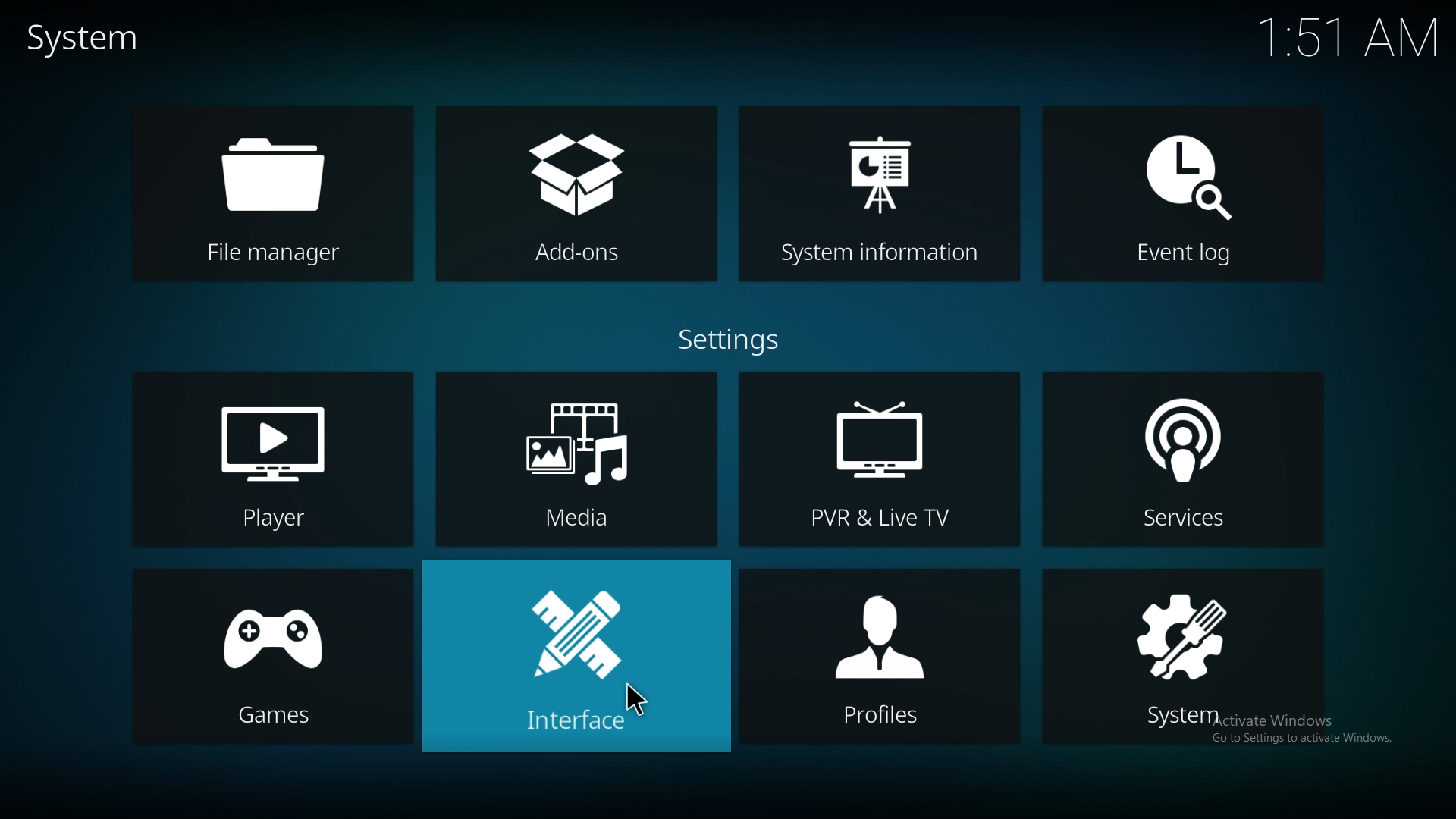 The height and width of the screenshot is (819, 1456). Describe the element at coordinates (879, 191) in the screenshot. I see `system info` at that location.